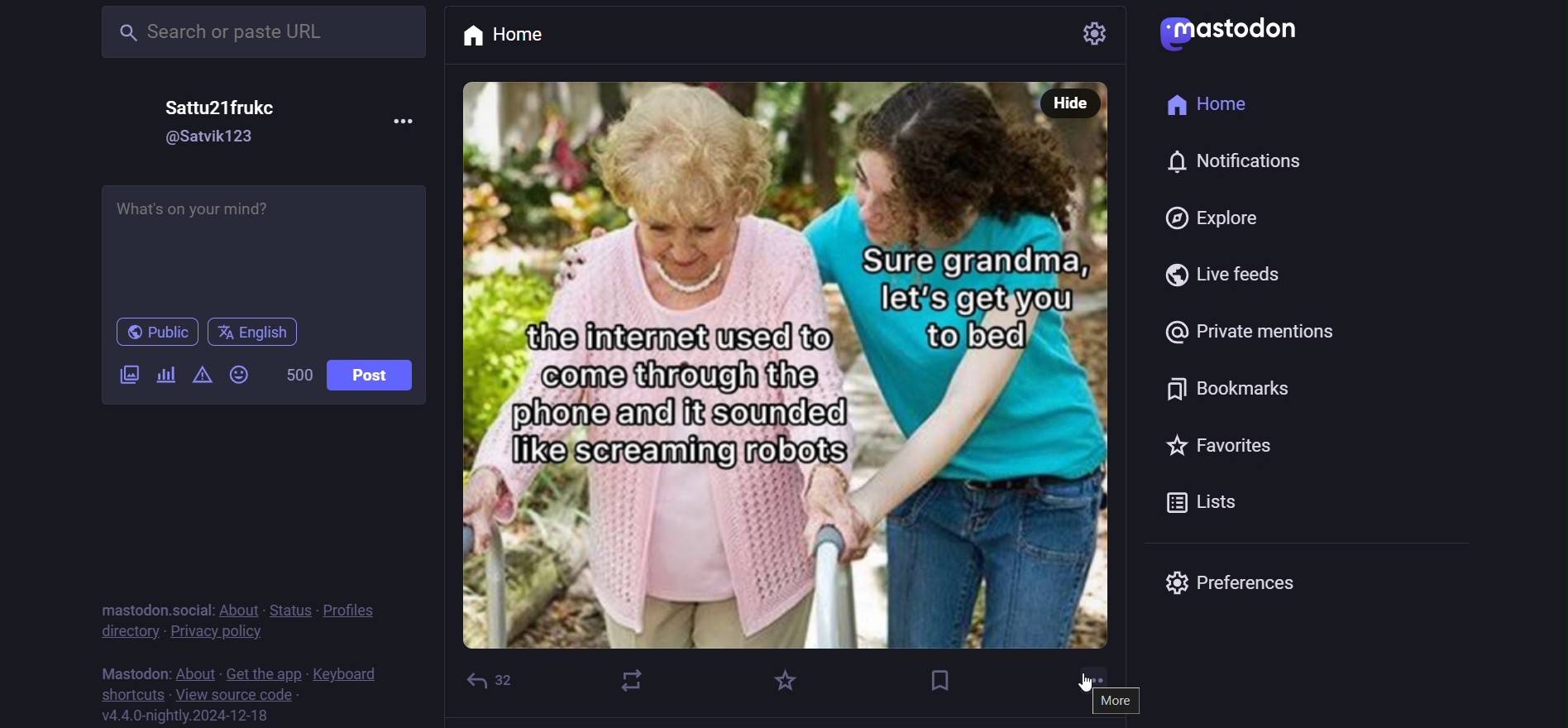 The image size is (1568, 728). Describe the element at coordinates (255, 334) in the screenshot. I see `english` at that location.